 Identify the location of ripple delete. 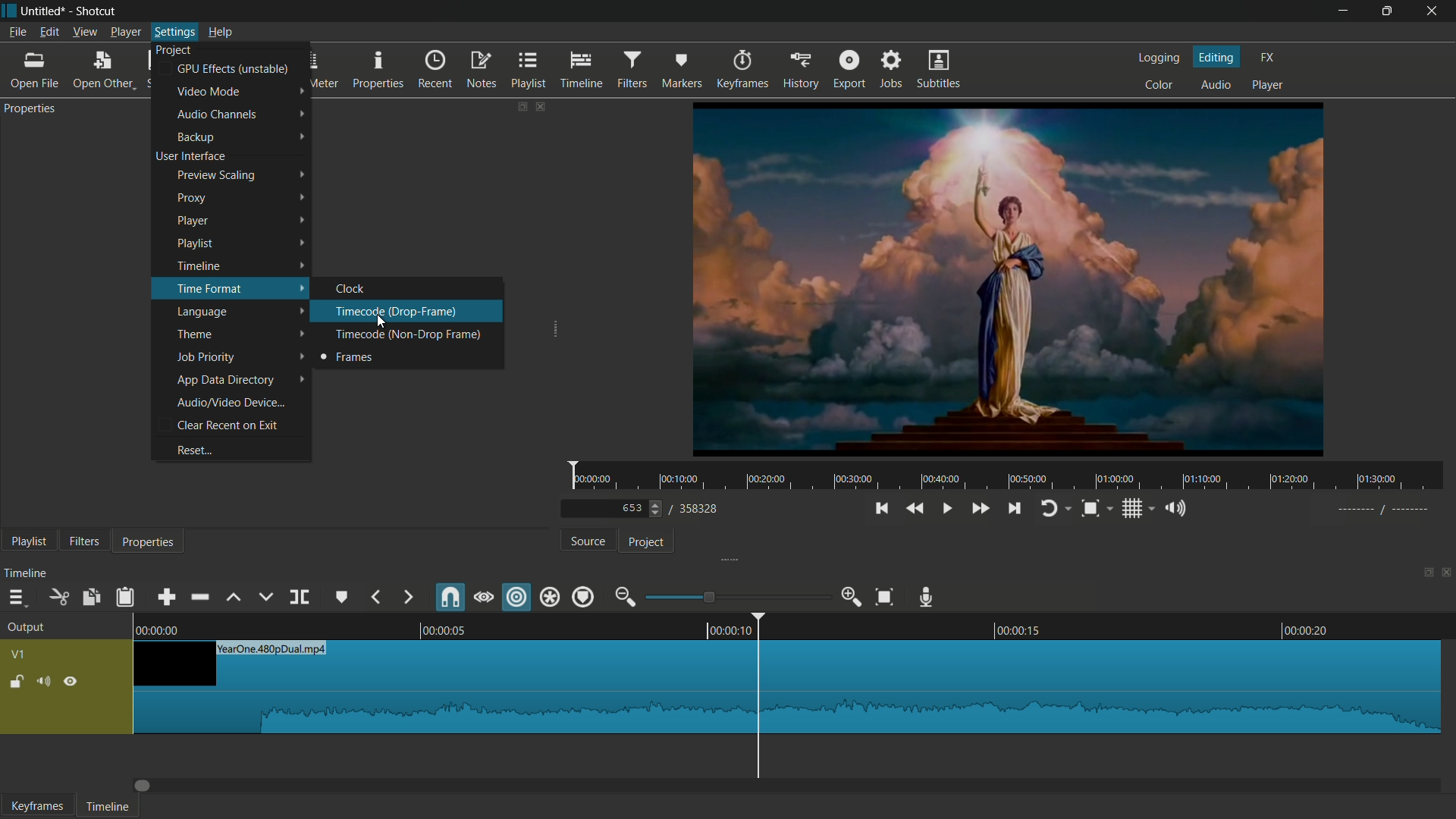
(202, 595).